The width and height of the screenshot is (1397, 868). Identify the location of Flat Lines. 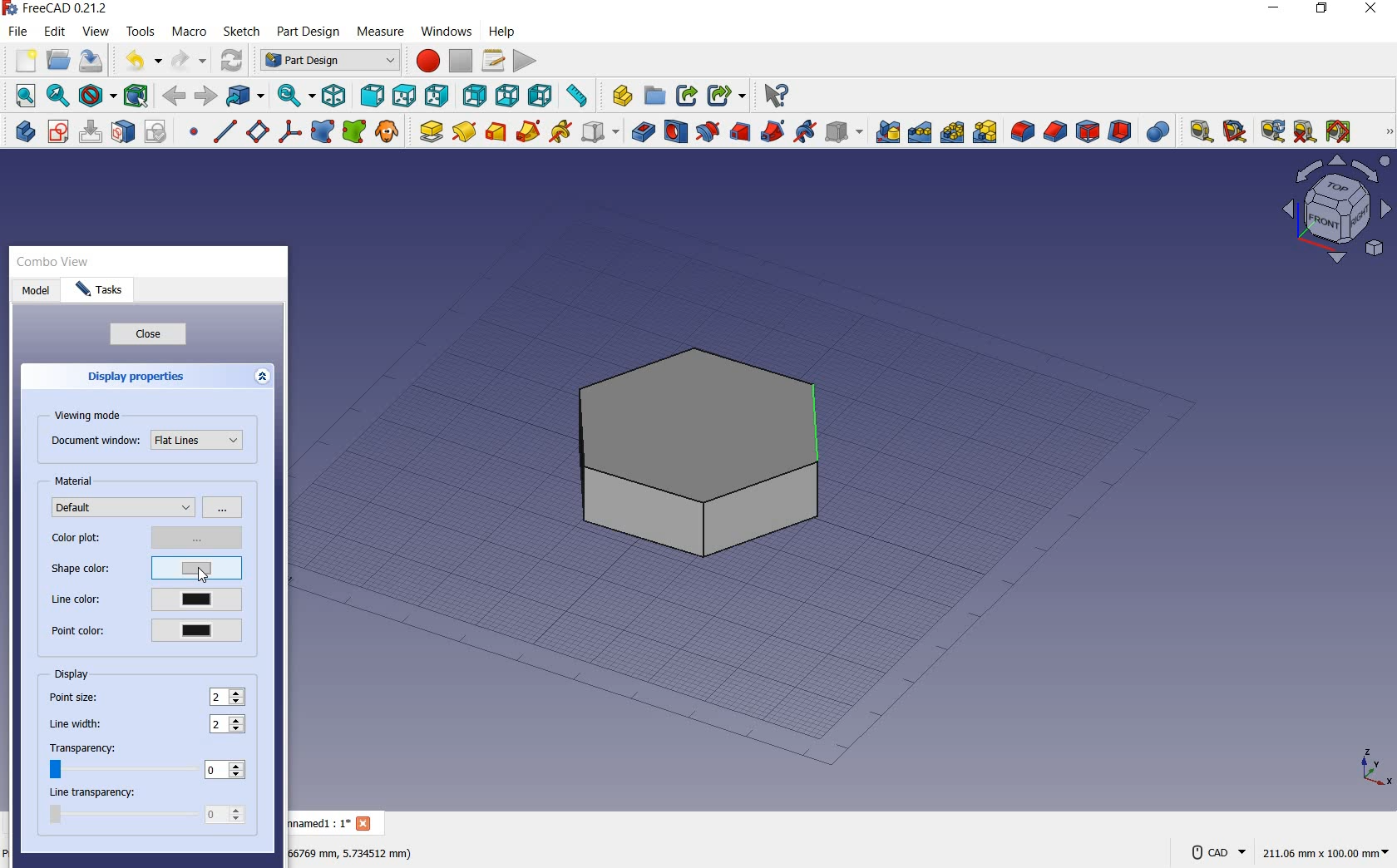
(201, 441).